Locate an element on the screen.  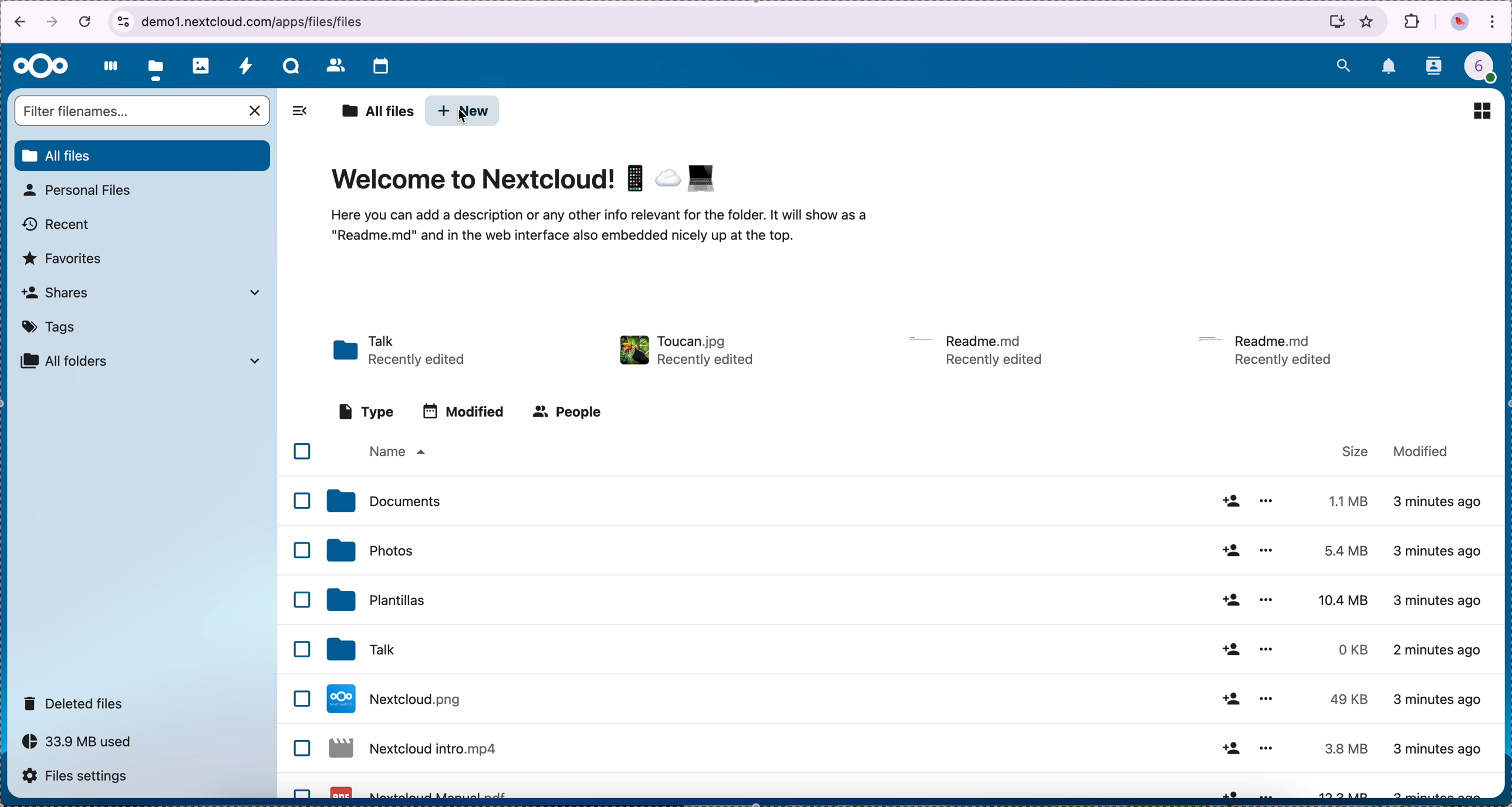
calendar is located at coordinates (380, 67).